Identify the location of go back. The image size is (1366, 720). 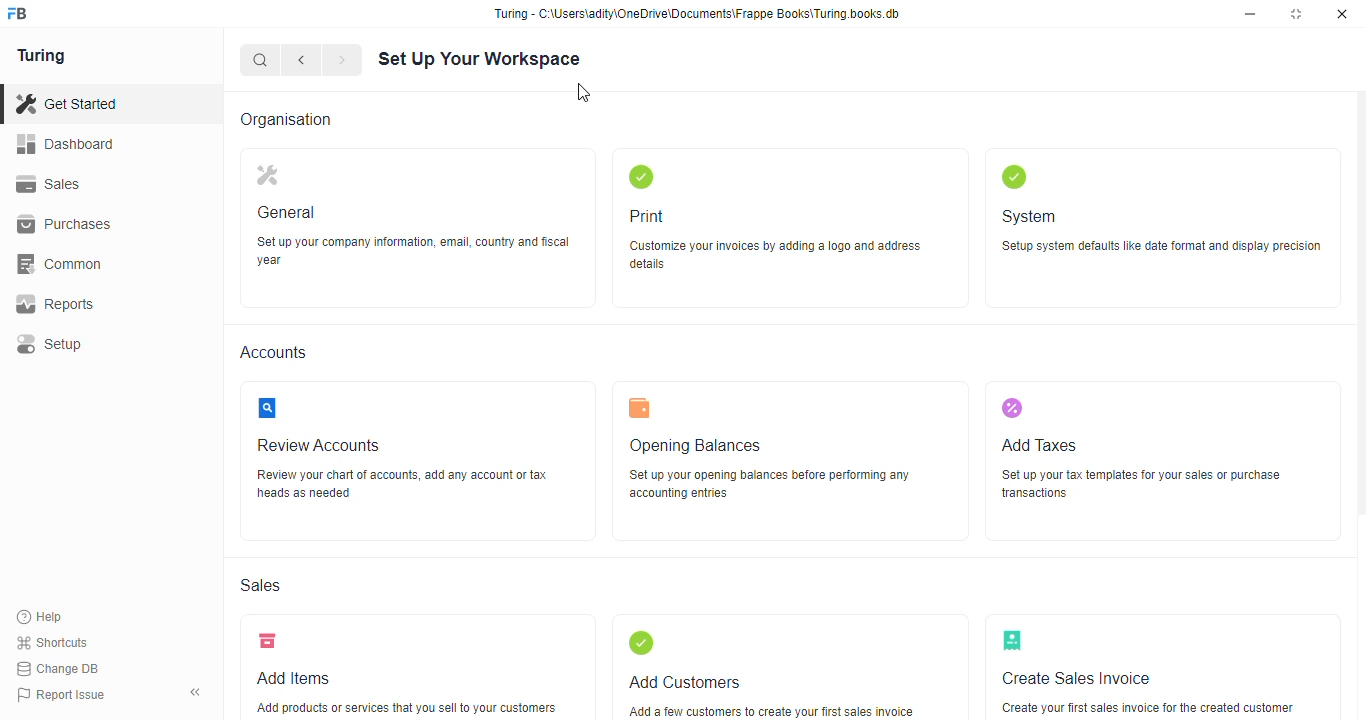
(302, 58).